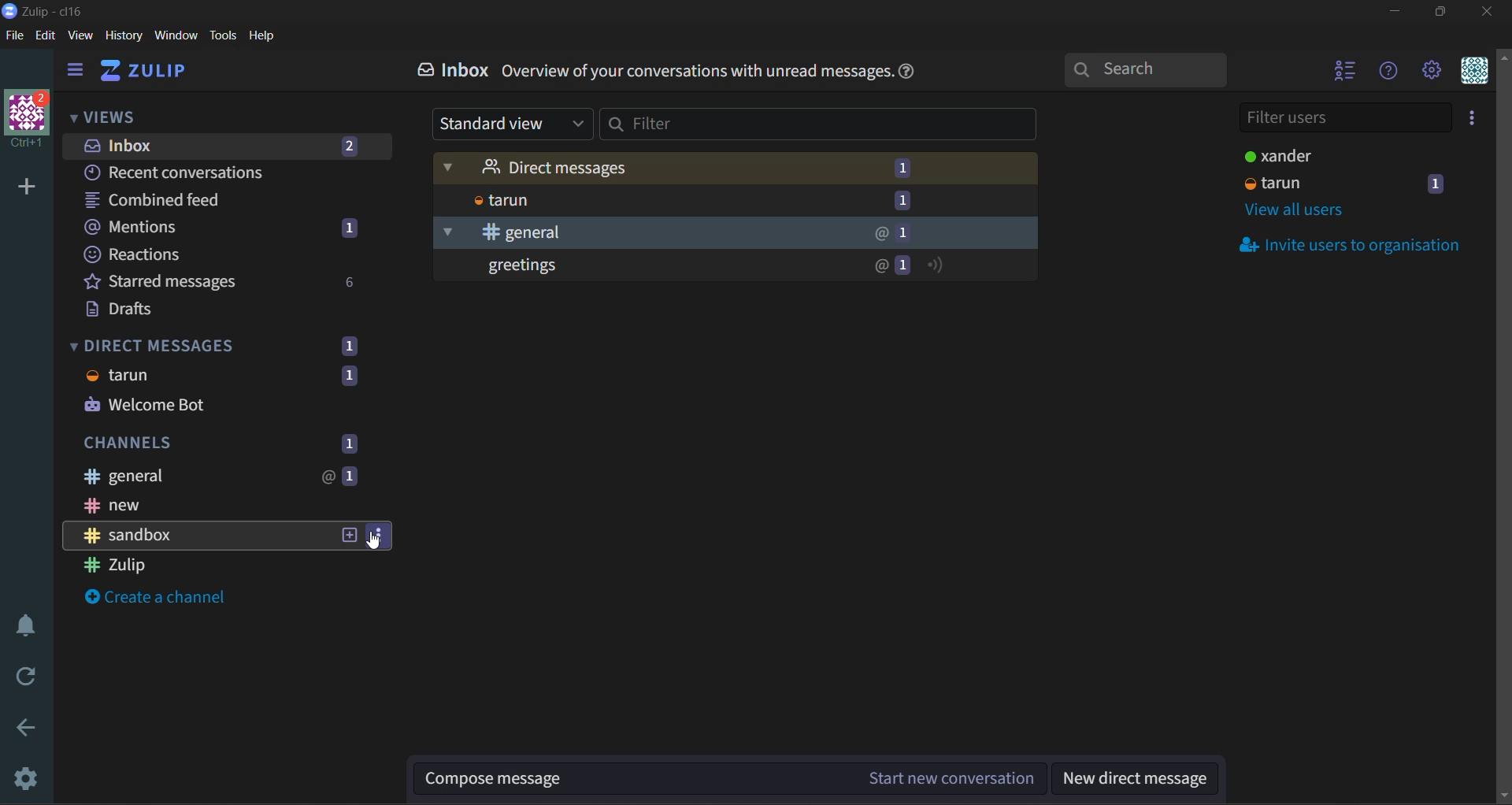 This screenshot has height=805, width=1512. What do you see at coordinates (740, 200) in the screenshot?
I see `tarun` at bounding box center [740, 200].